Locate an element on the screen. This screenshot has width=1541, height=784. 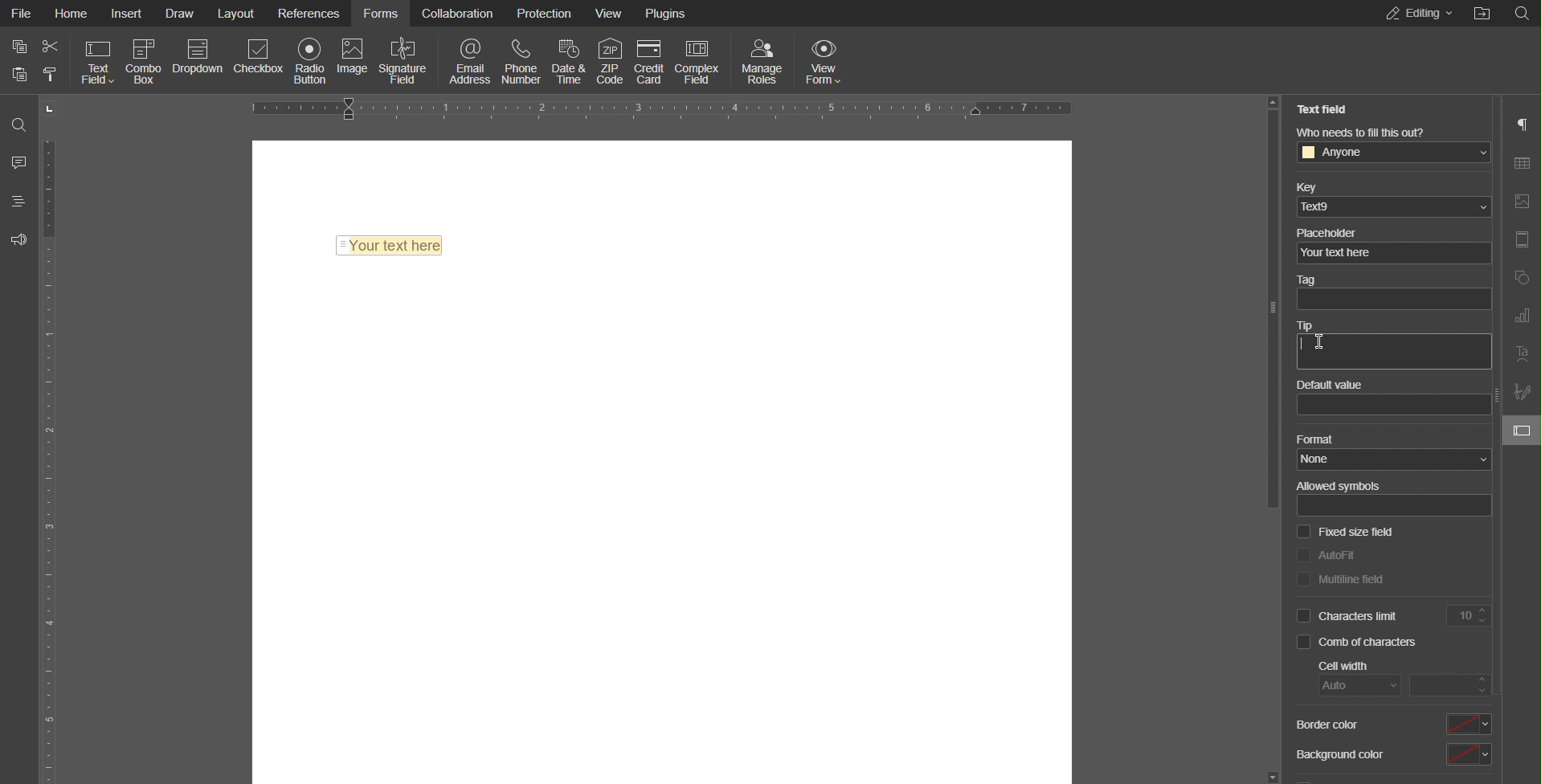
clear formatting is located at coordinates (51, 73).